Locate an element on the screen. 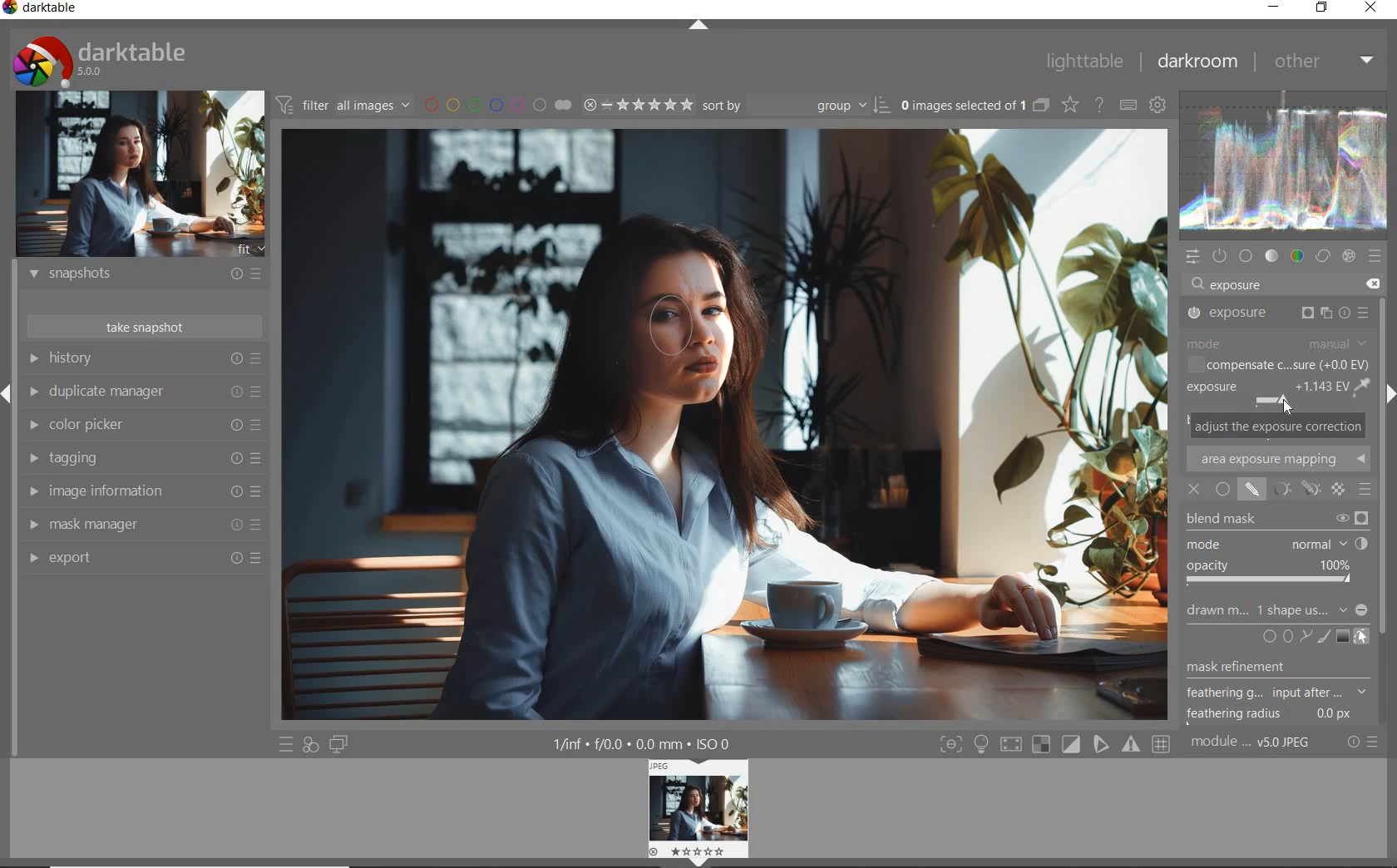  UNIFORMLY is located at coordinates (1223, 489).